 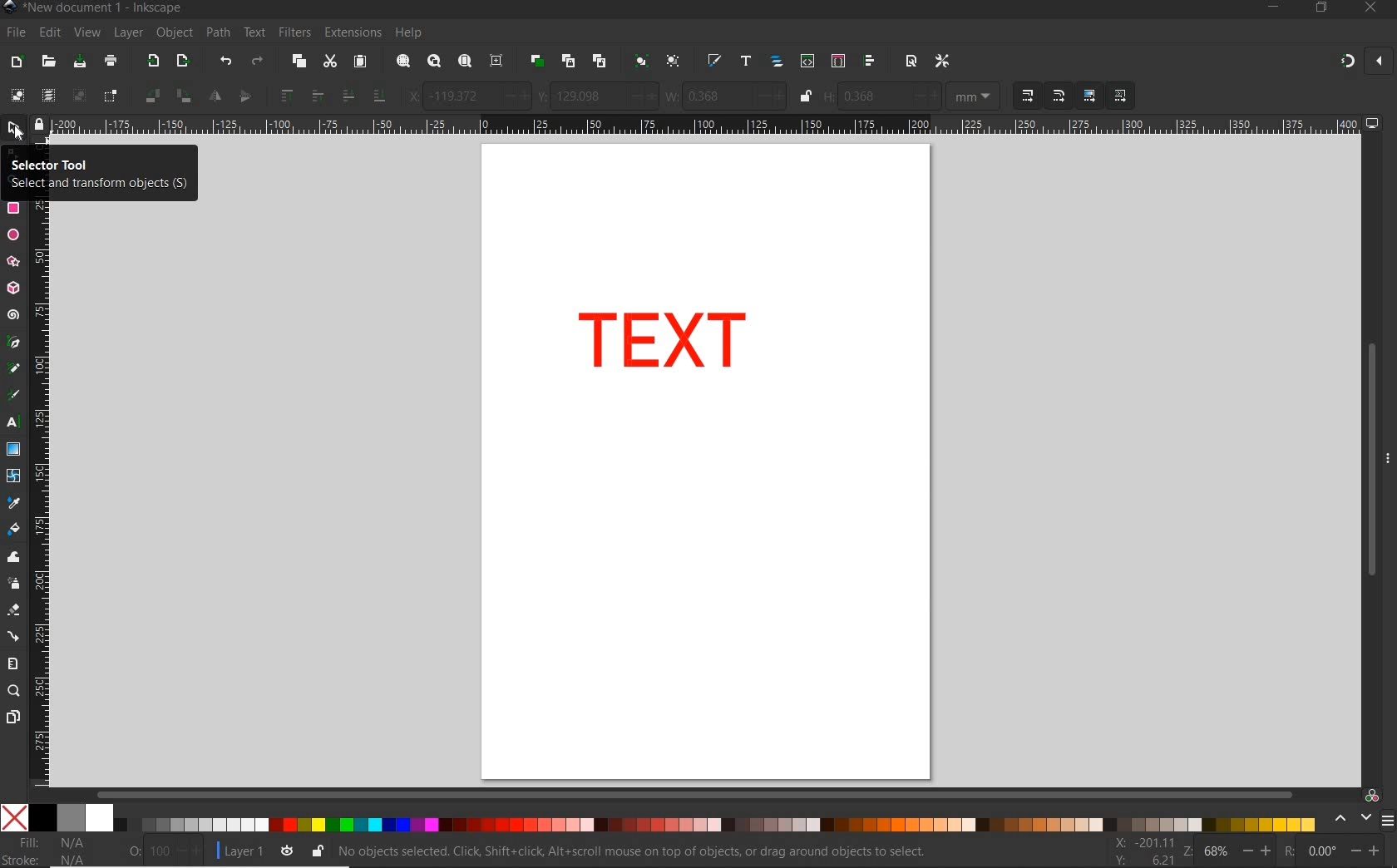 What do you see at coordinates (13, 504) in the screenshot?
I see `DROPPER TOOL` at bounding box center [13, 504].